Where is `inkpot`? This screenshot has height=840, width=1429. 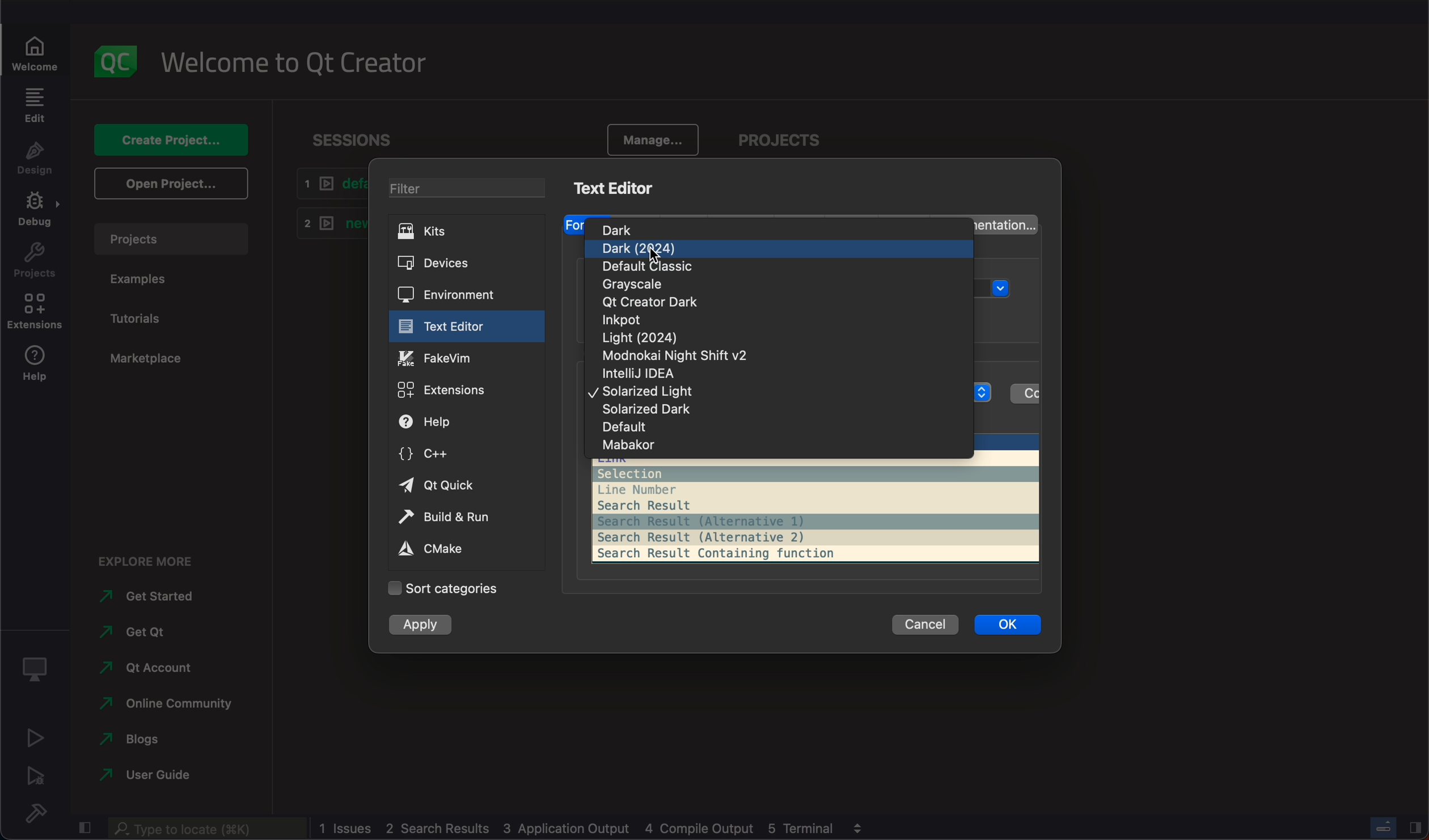 inkpot is located at coordinates (641, 320).